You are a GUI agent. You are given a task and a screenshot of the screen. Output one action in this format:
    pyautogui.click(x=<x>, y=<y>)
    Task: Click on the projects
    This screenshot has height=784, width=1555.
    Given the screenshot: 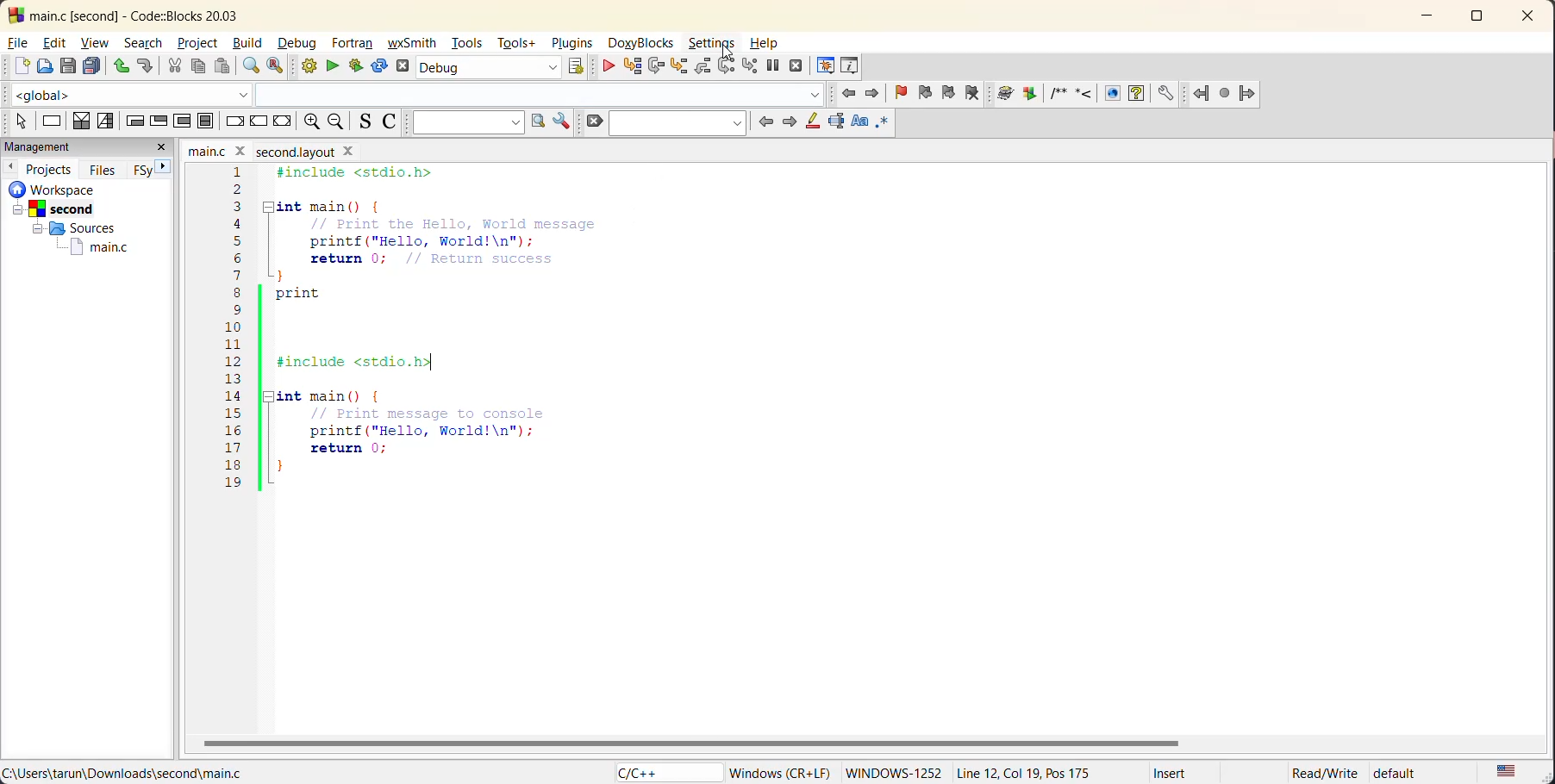 What is the action you would take?
    pyautogui.click(x=50, y=169)
    